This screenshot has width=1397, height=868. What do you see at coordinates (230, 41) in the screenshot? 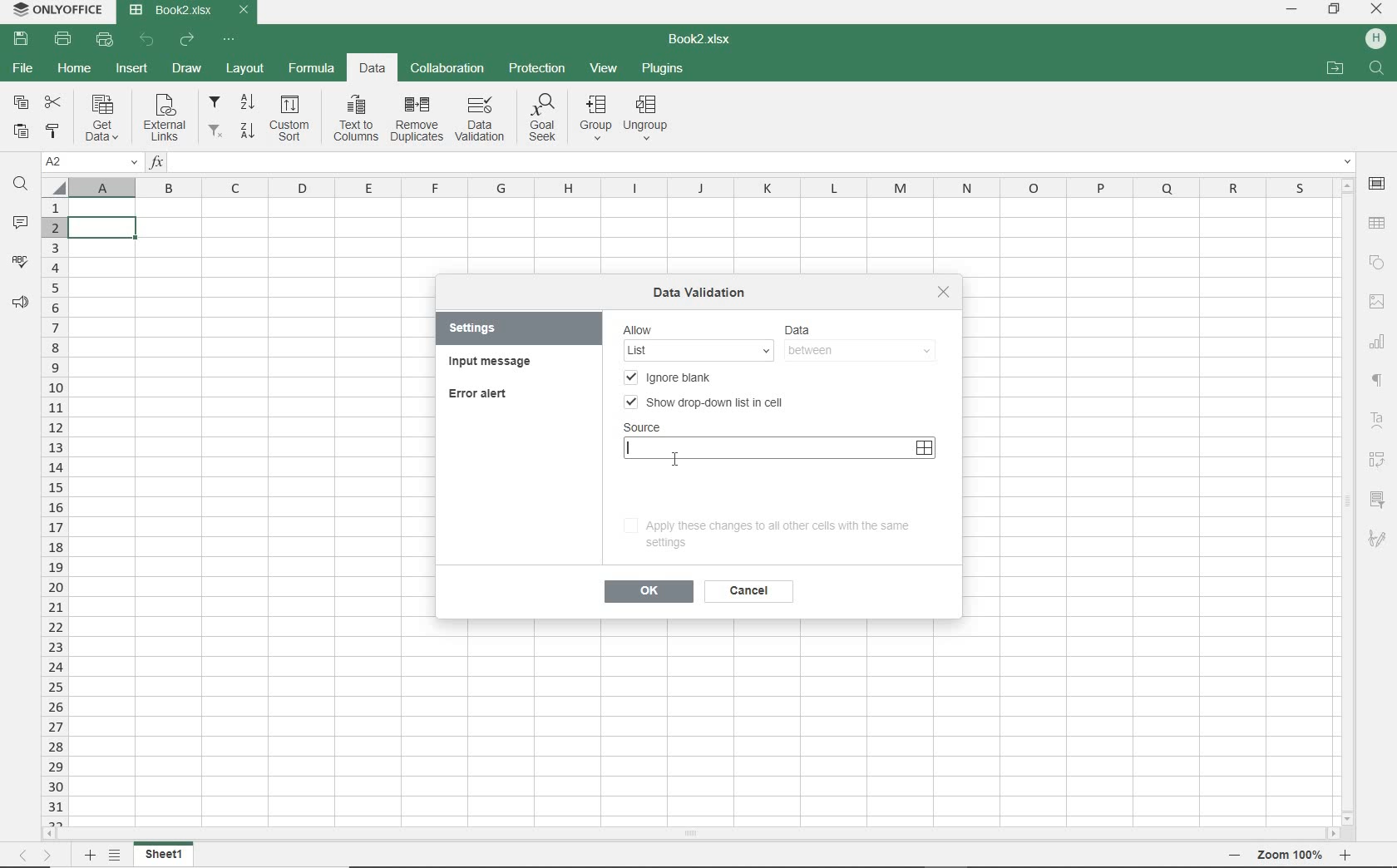
I see `CUSTOMIZE QUICK ACCESS TOOLBAR` at bounding box center [230, 41].